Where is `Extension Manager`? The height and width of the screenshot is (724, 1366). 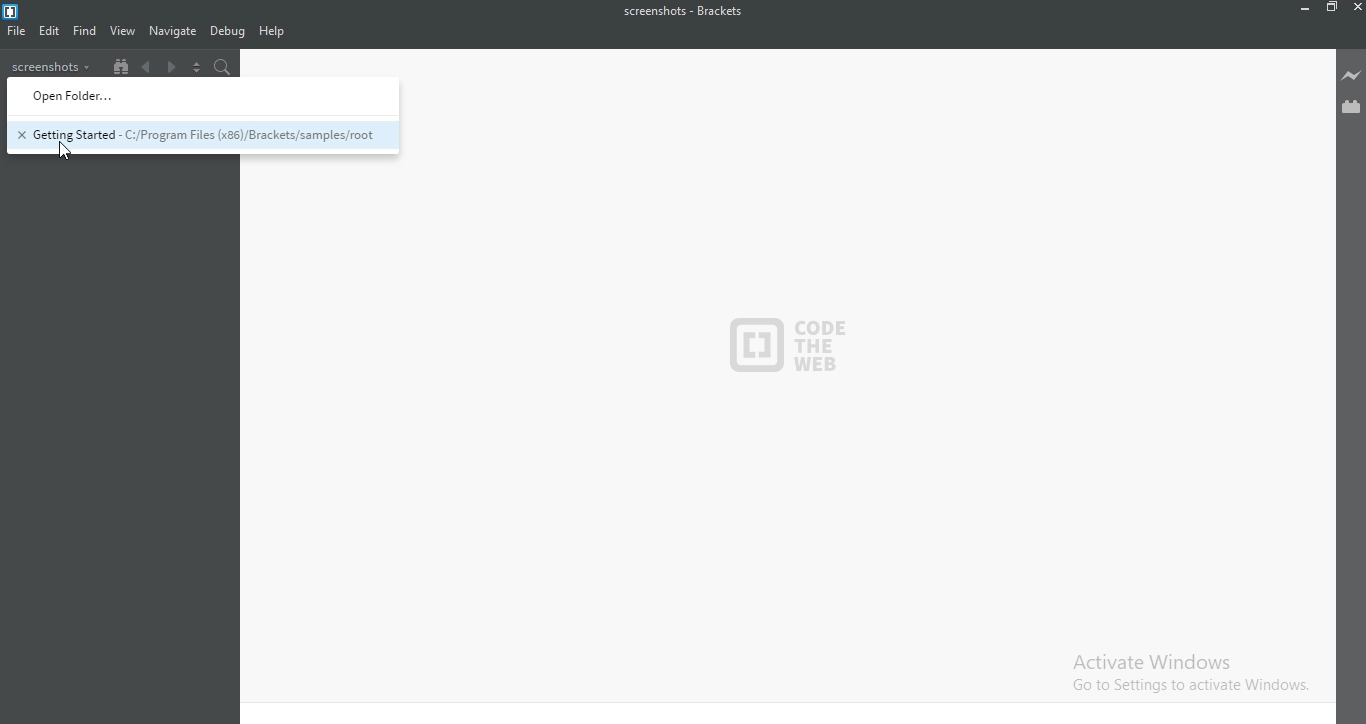 Extension Manager is located at coordinates (1351, 108).